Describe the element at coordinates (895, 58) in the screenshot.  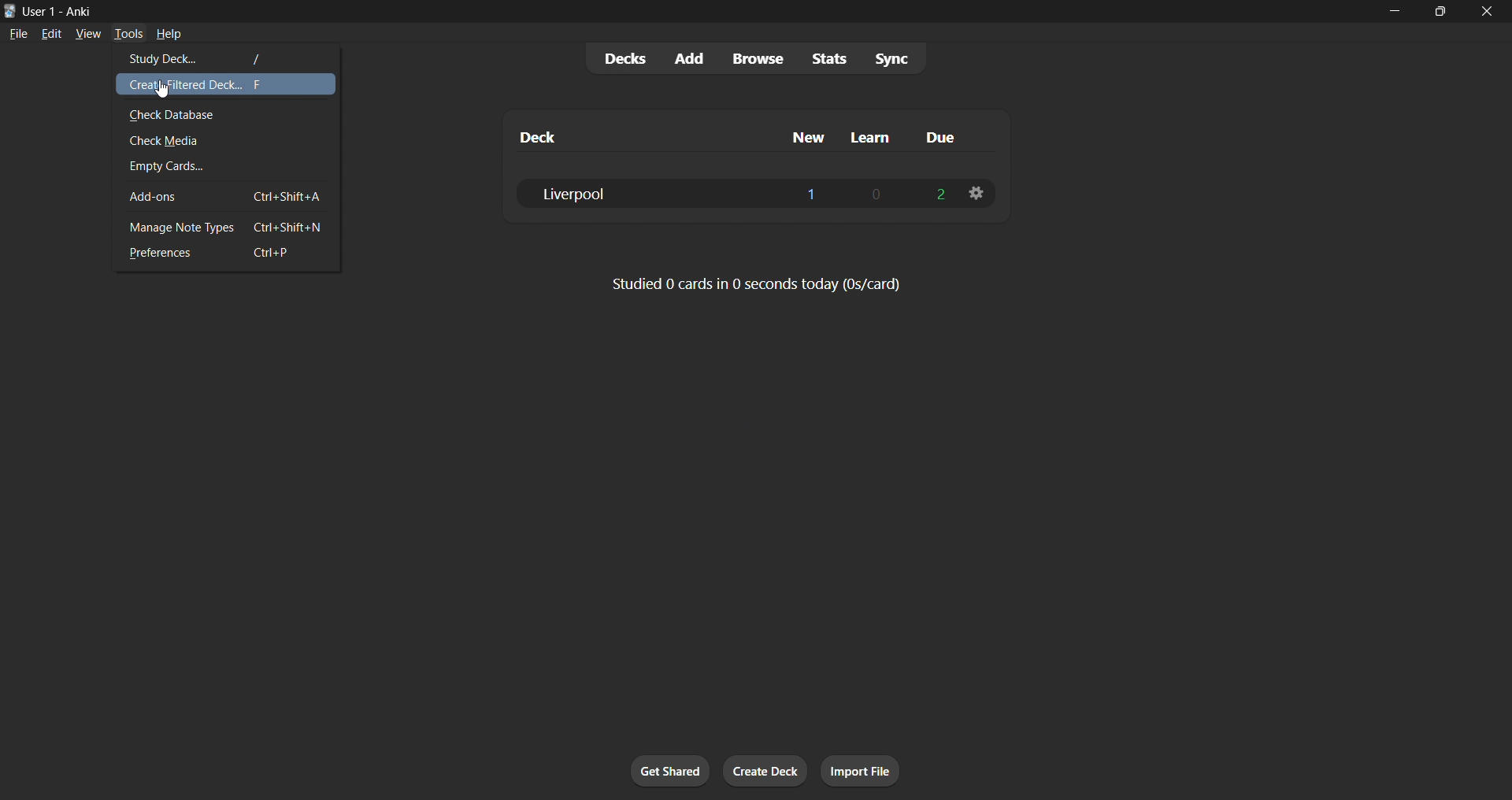
I see `sync` at that location.